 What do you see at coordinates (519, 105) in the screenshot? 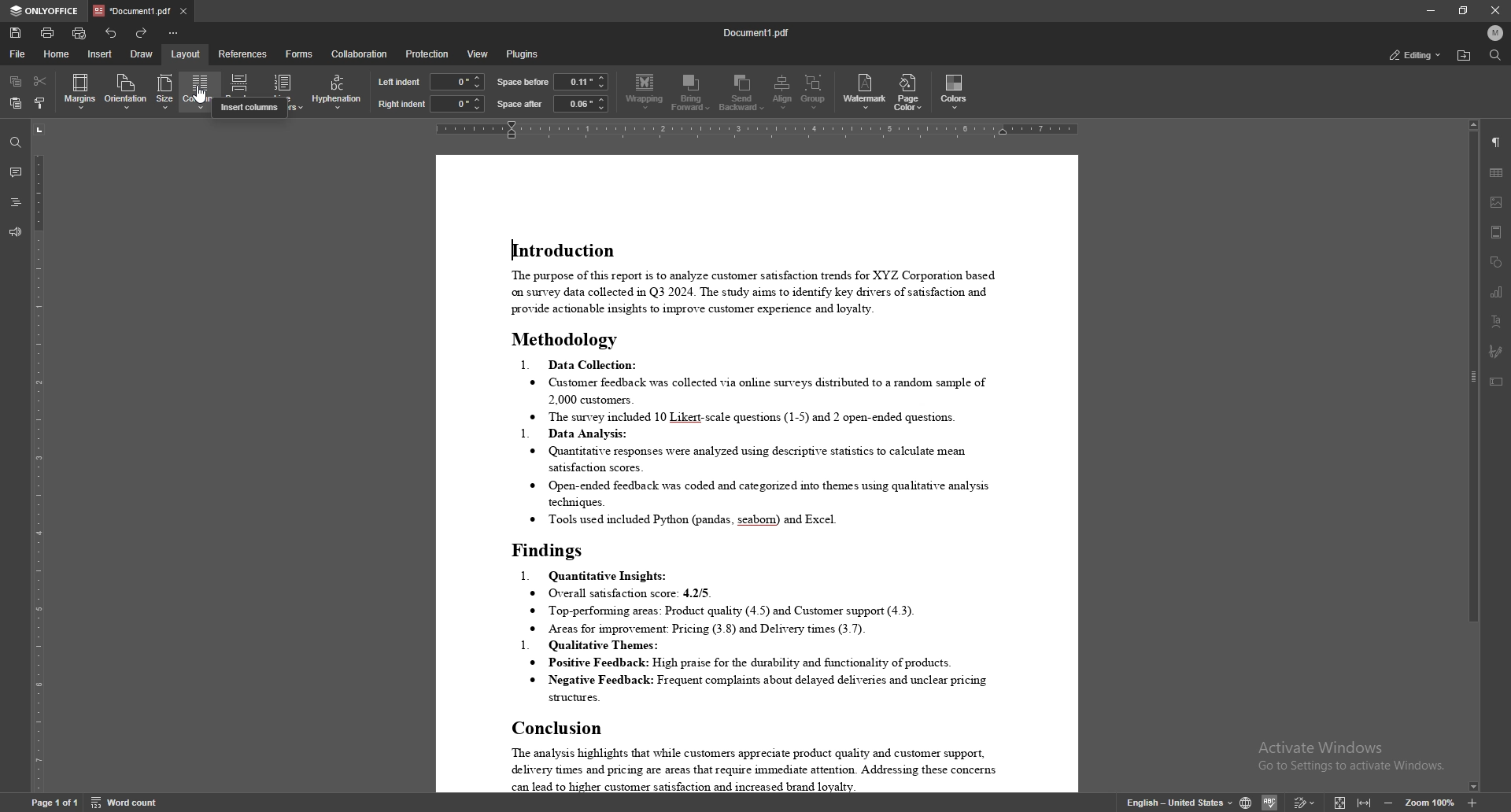
I see `space after` at bounding box center [519, 105].